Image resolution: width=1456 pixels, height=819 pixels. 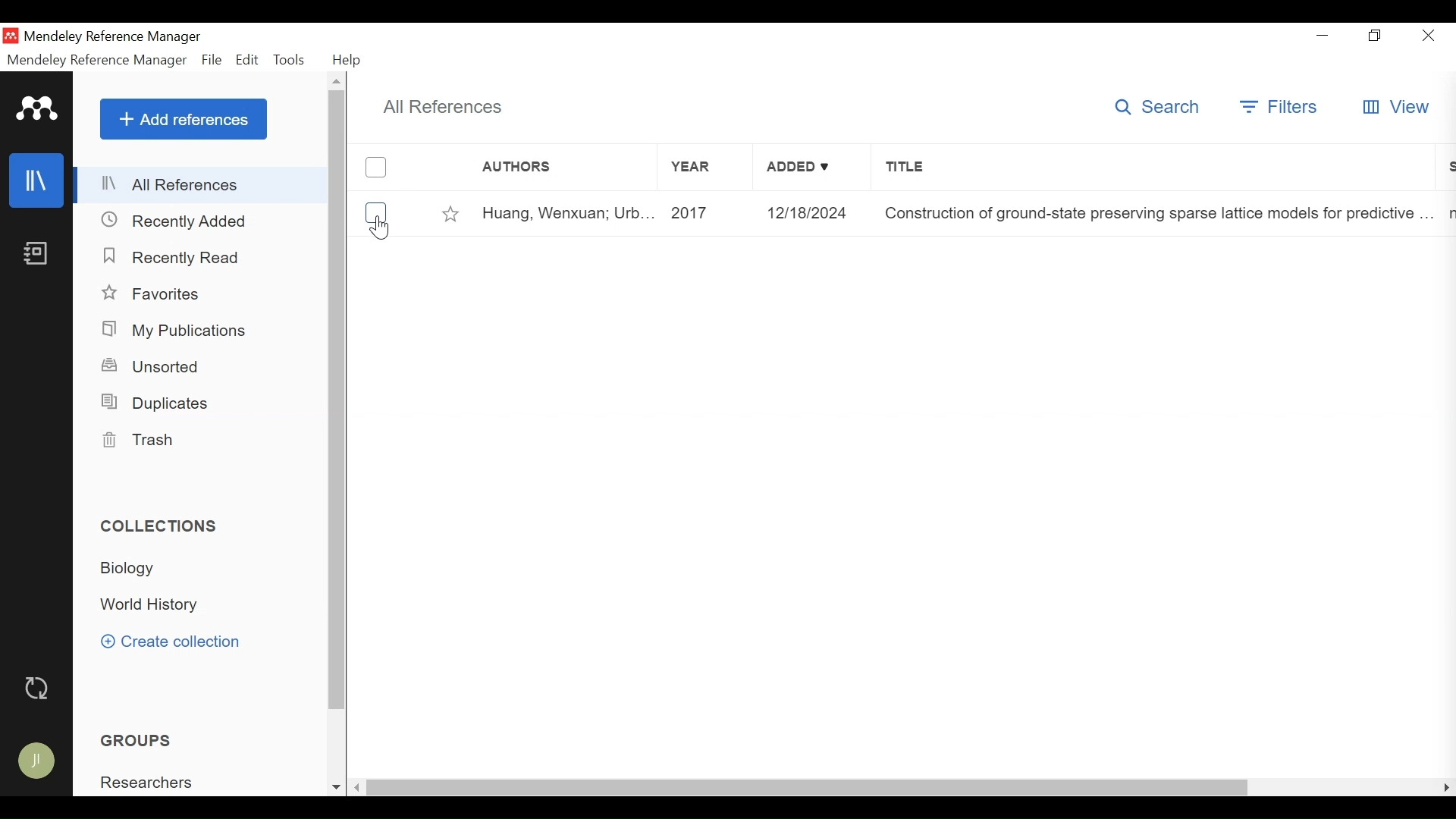 What do you see at coordinates (1323, 33) in the screenshot?
I see `minimize` at bounding box center [1323, 33].